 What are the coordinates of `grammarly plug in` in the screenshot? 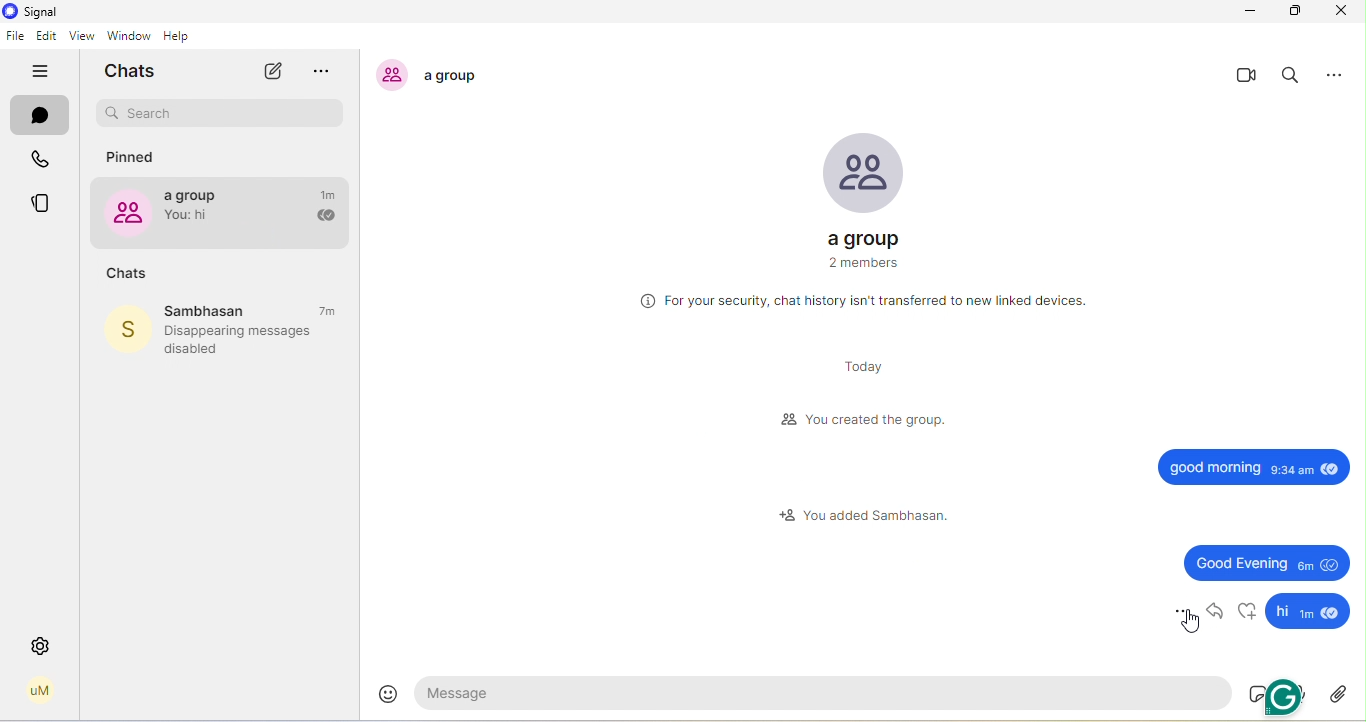 It's located at (1288, 695).